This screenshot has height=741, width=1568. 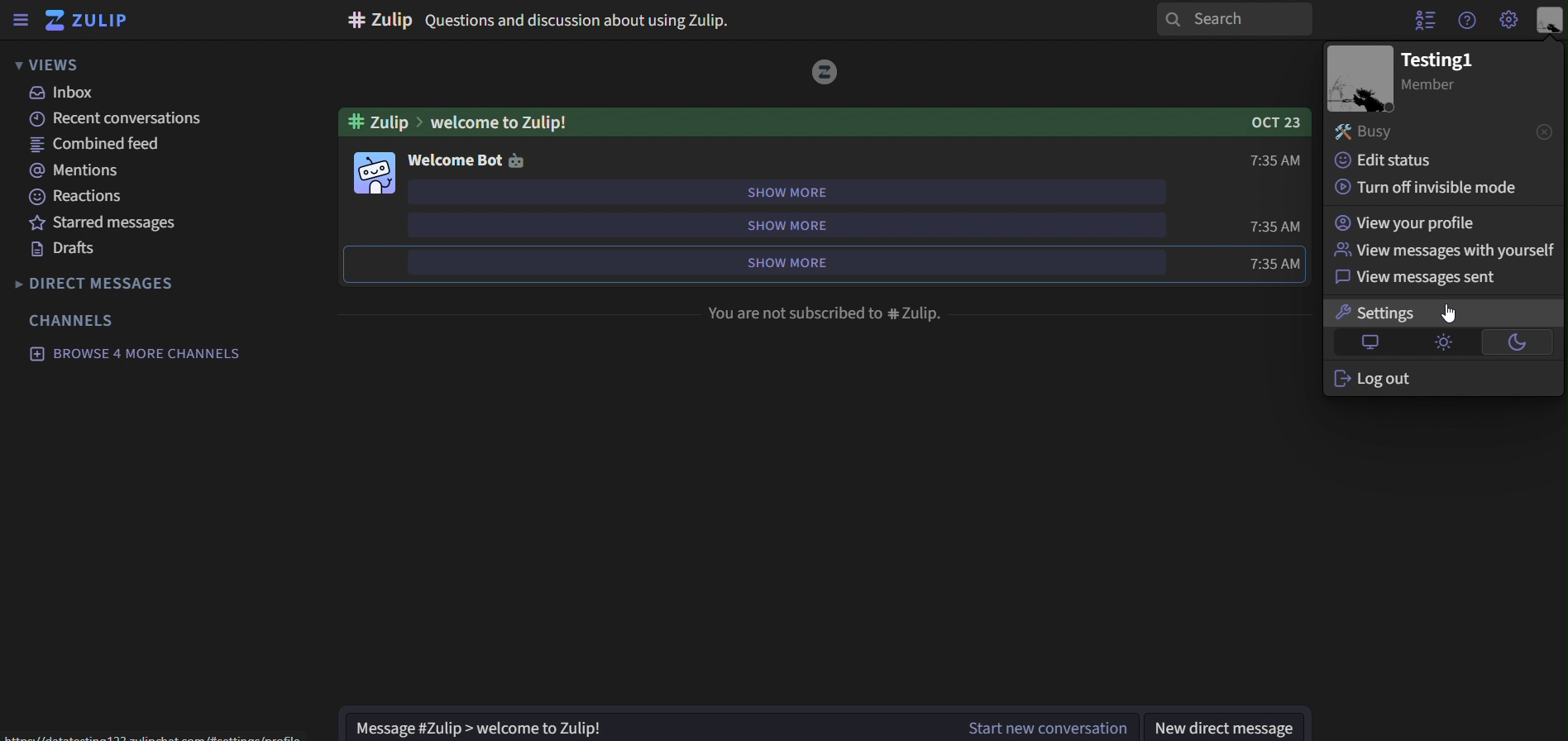 I want to click on busy, so click(x=1375, y=132).